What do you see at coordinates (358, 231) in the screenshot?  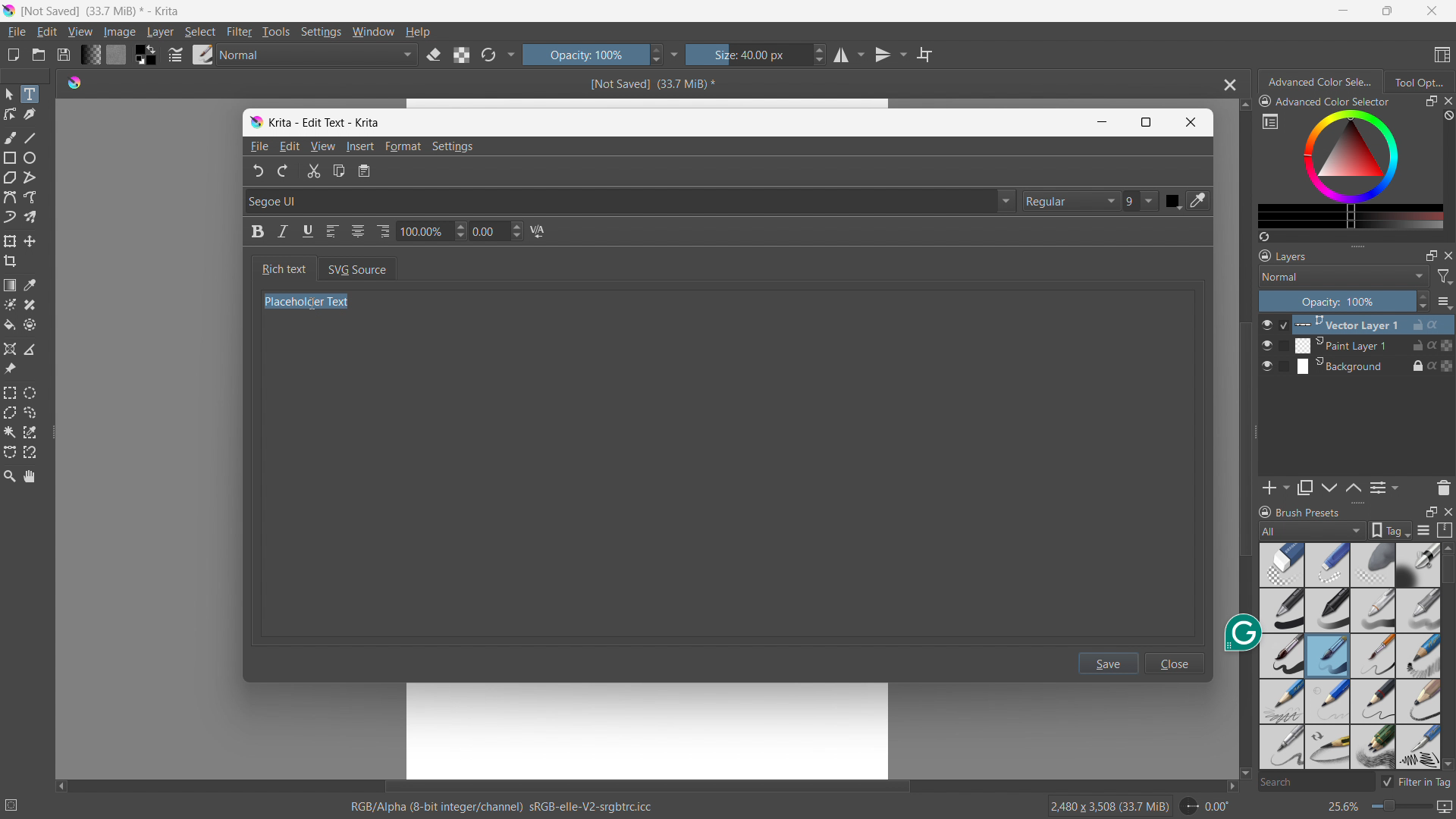 I see `align center` at bounding box center [358, 231].